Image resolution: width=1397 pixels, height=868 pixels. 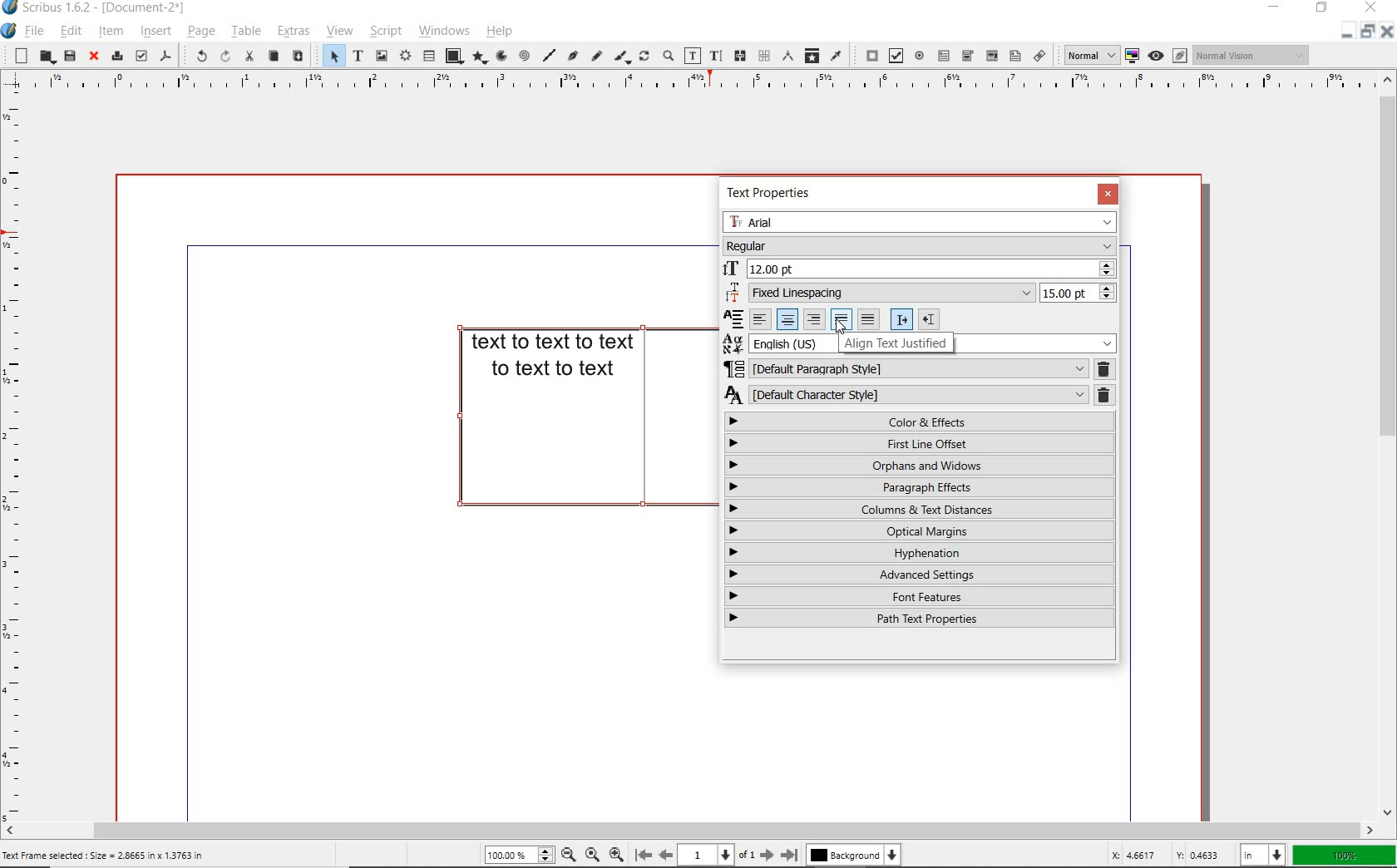 What do you see at coordinates (761, 318) in the screenshot?
I see `align left` at bounding box center [761, 318].